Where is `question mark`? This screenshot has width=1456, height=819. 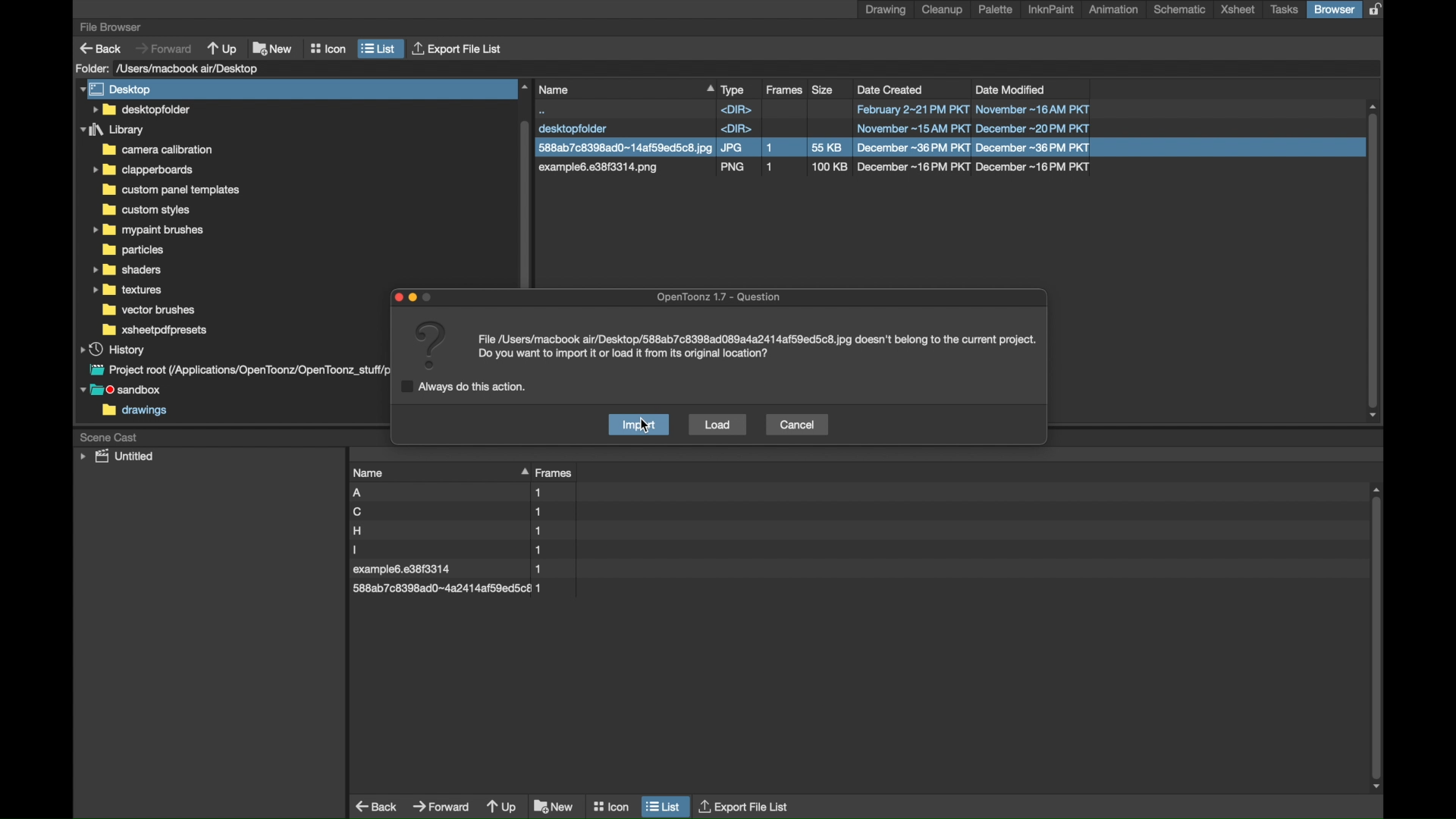 question mark is located at coordinates (434, 345).